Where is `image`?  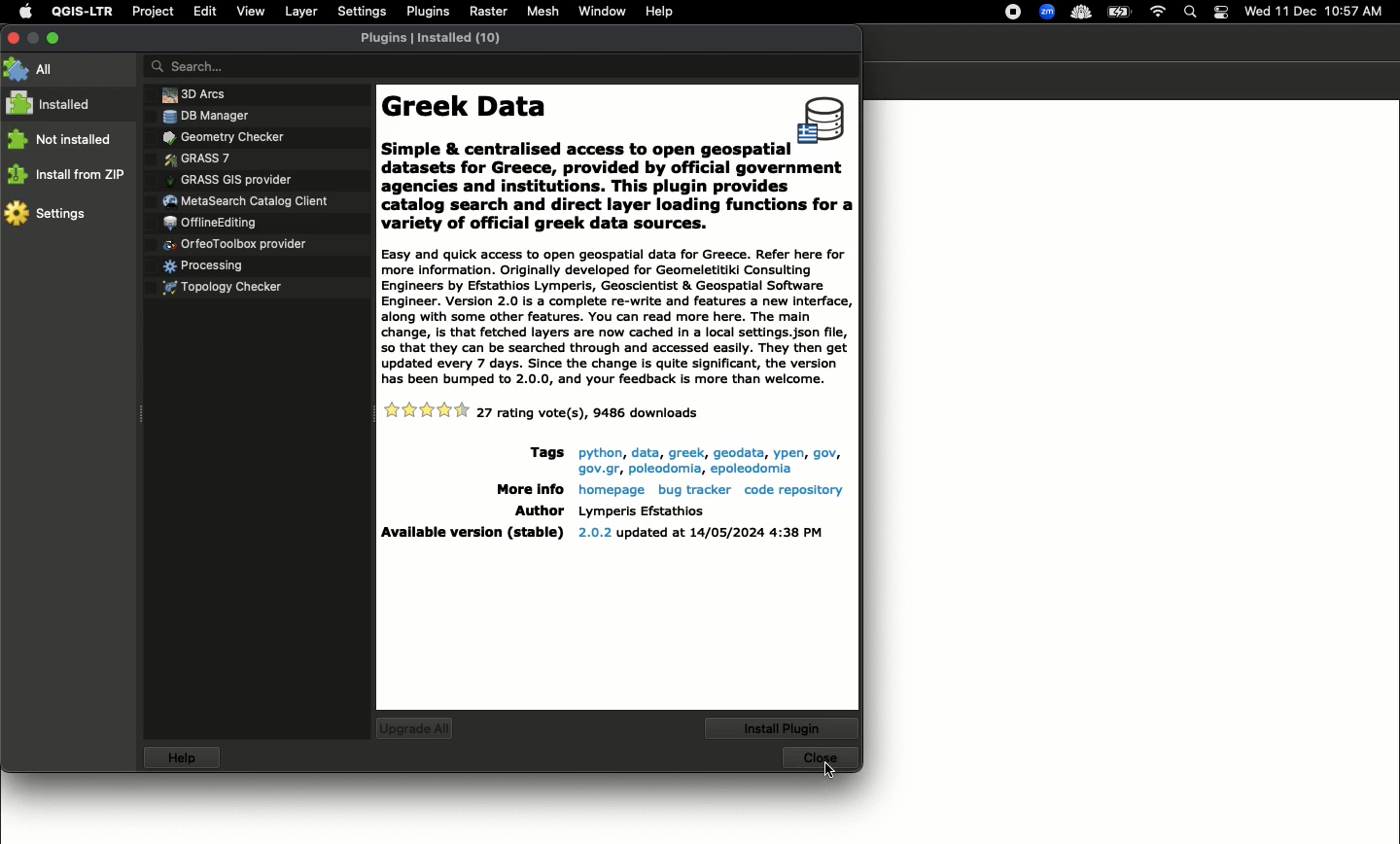 image is located at coordinates (824, 122).